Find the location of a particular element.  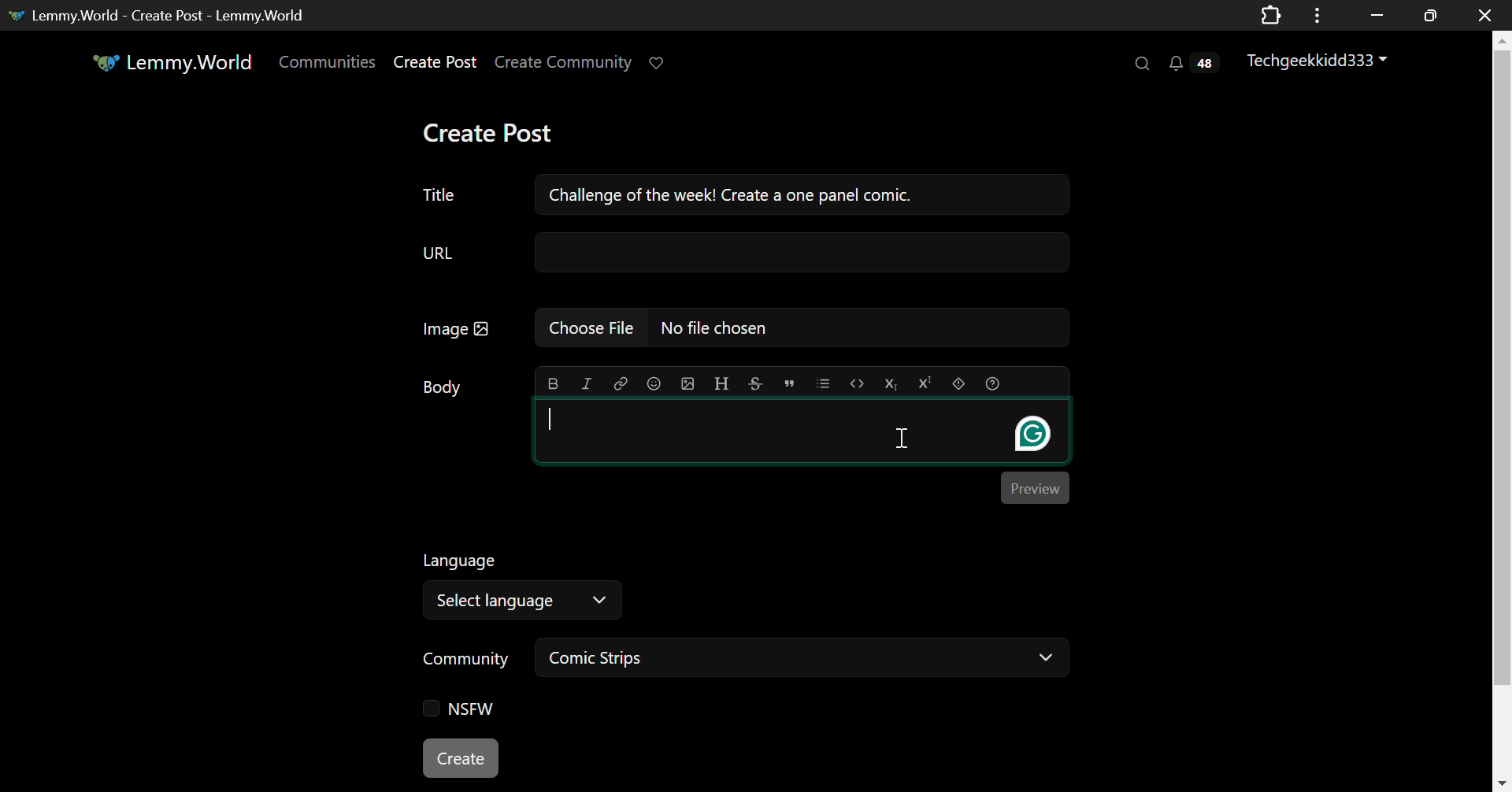

Notifications is located at coordinates (1191, 65).